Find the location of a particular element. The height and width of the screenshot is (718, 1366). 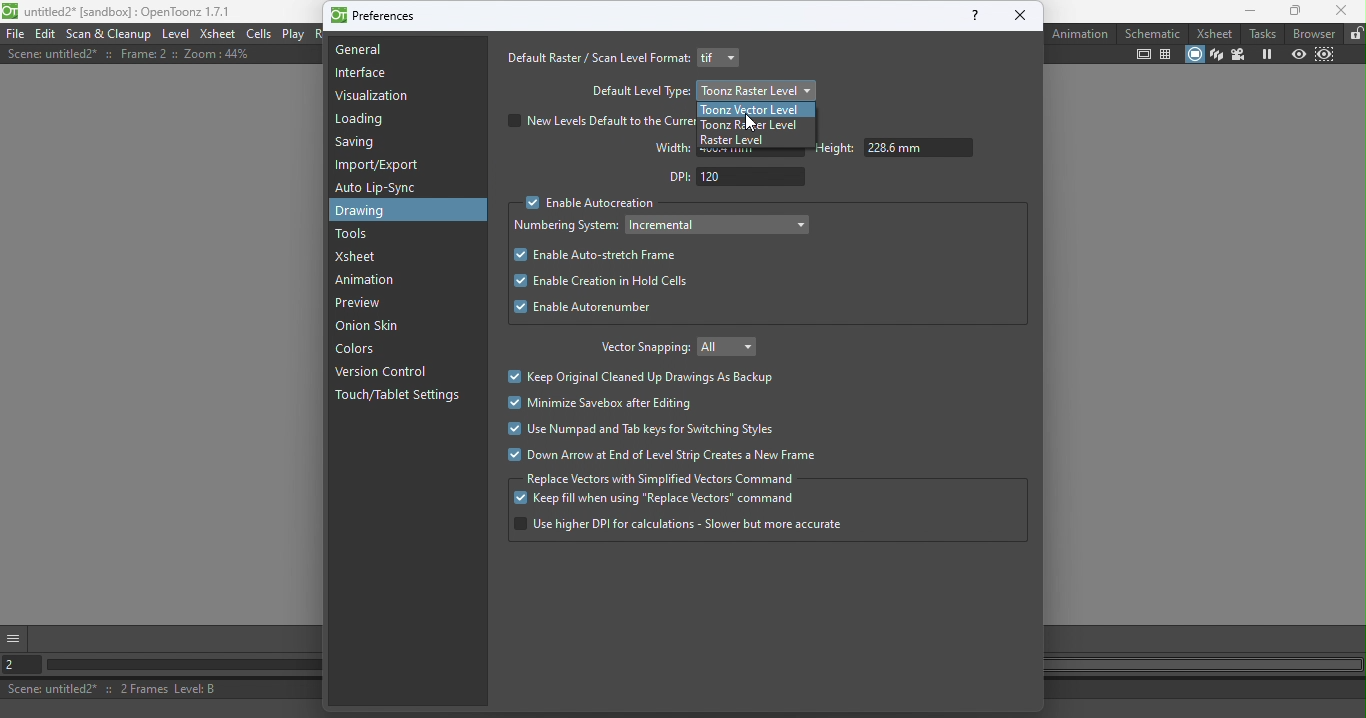

Import/export is located at coordinates (382, 165).